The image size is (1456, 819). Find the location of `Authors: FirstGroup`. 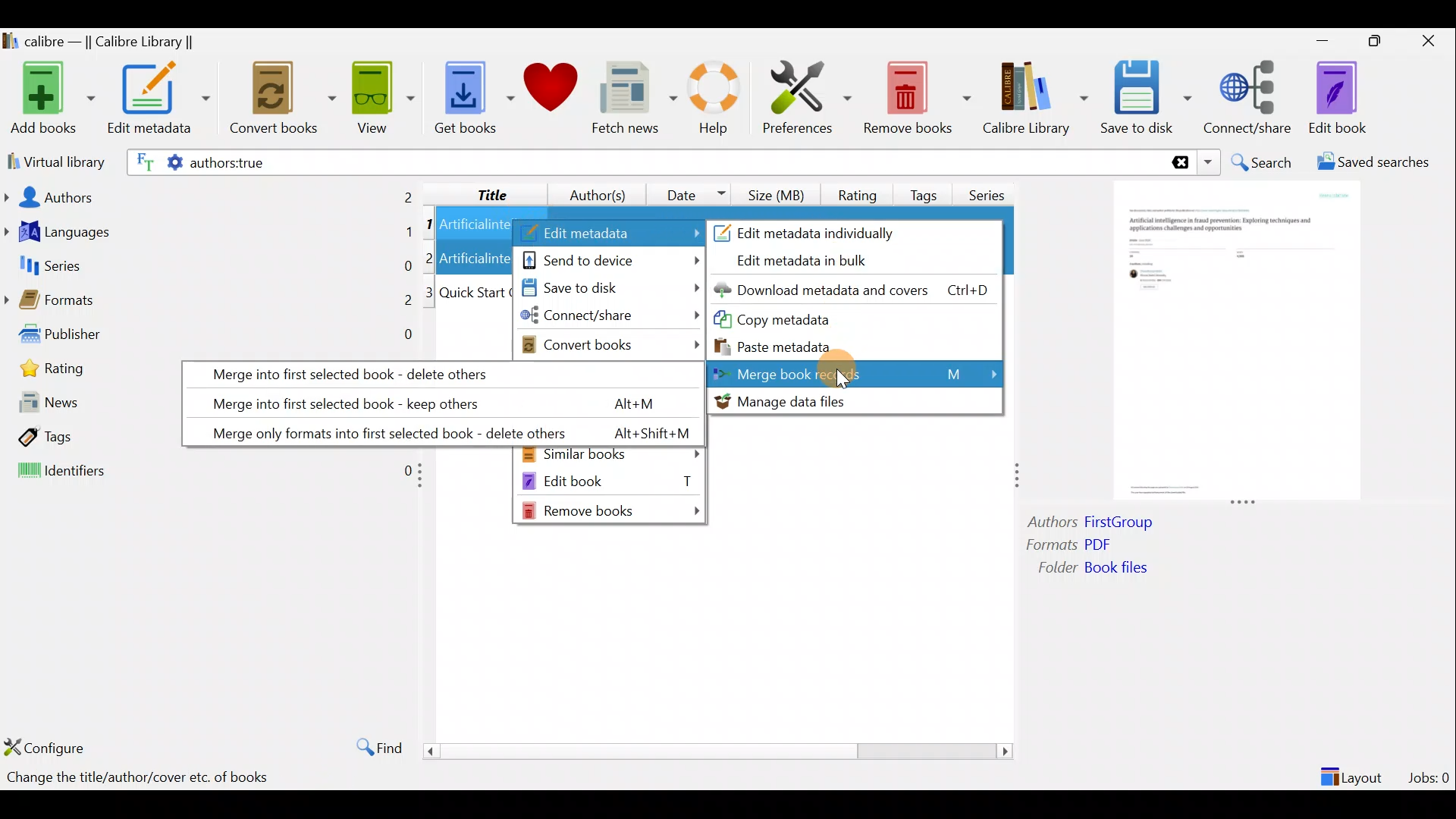

Authors: FirstGroup is located at coordinates (1095, 524).